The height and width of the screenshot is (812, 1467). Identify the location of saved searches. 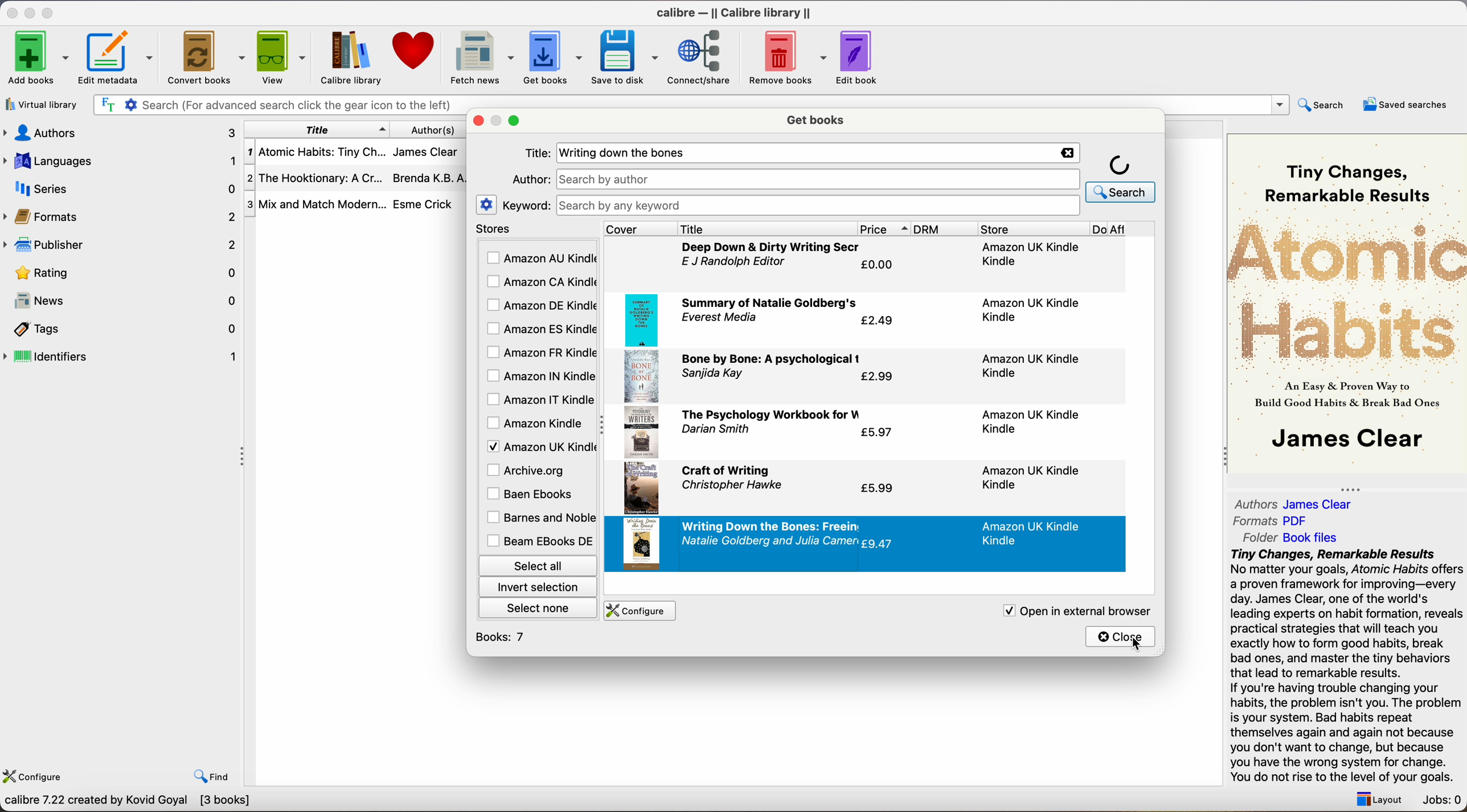
(1405, 104).